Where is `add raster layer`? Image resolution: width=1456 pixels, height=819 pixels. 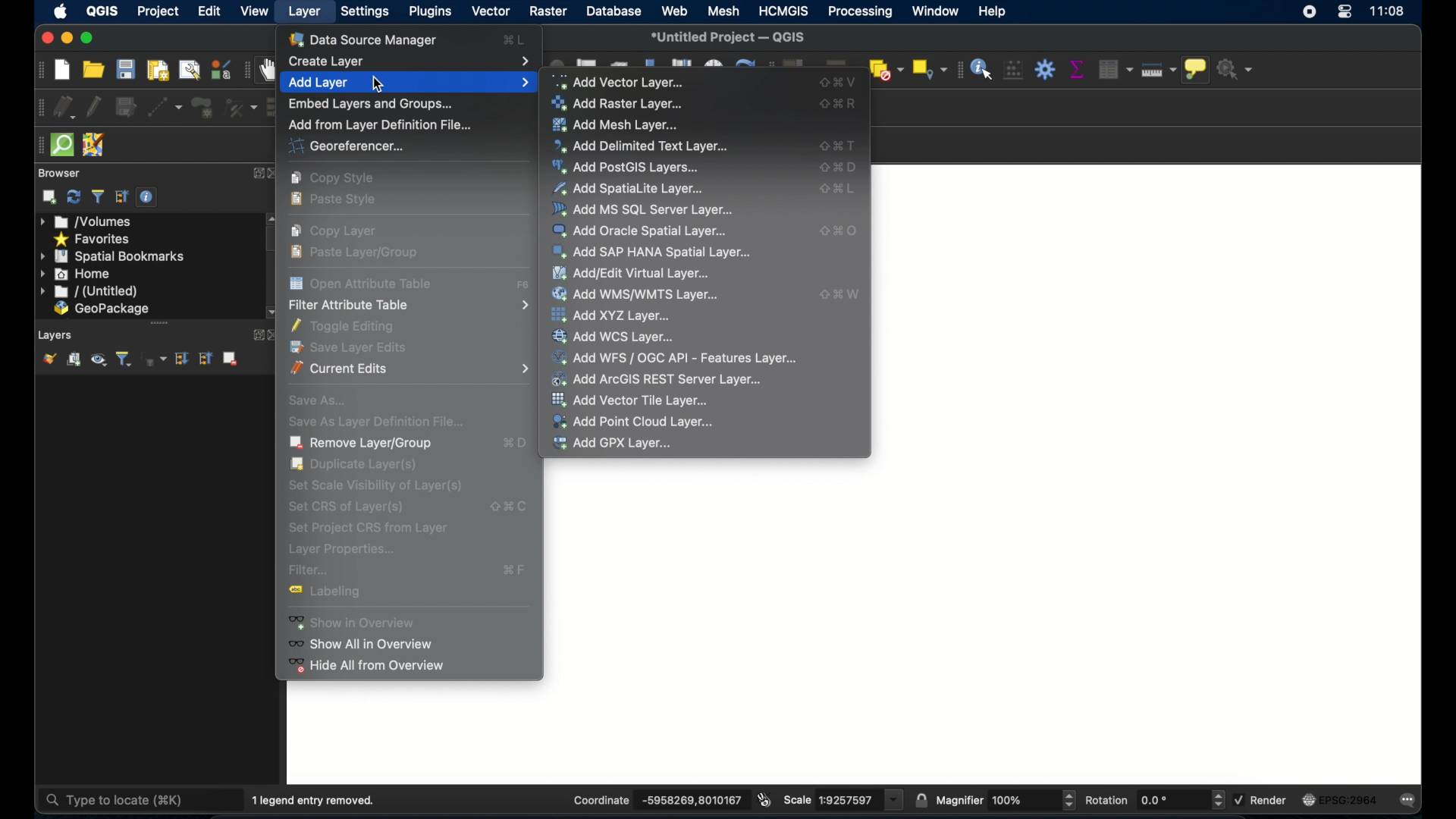
add raster layer is located at coordinates (840, 104).